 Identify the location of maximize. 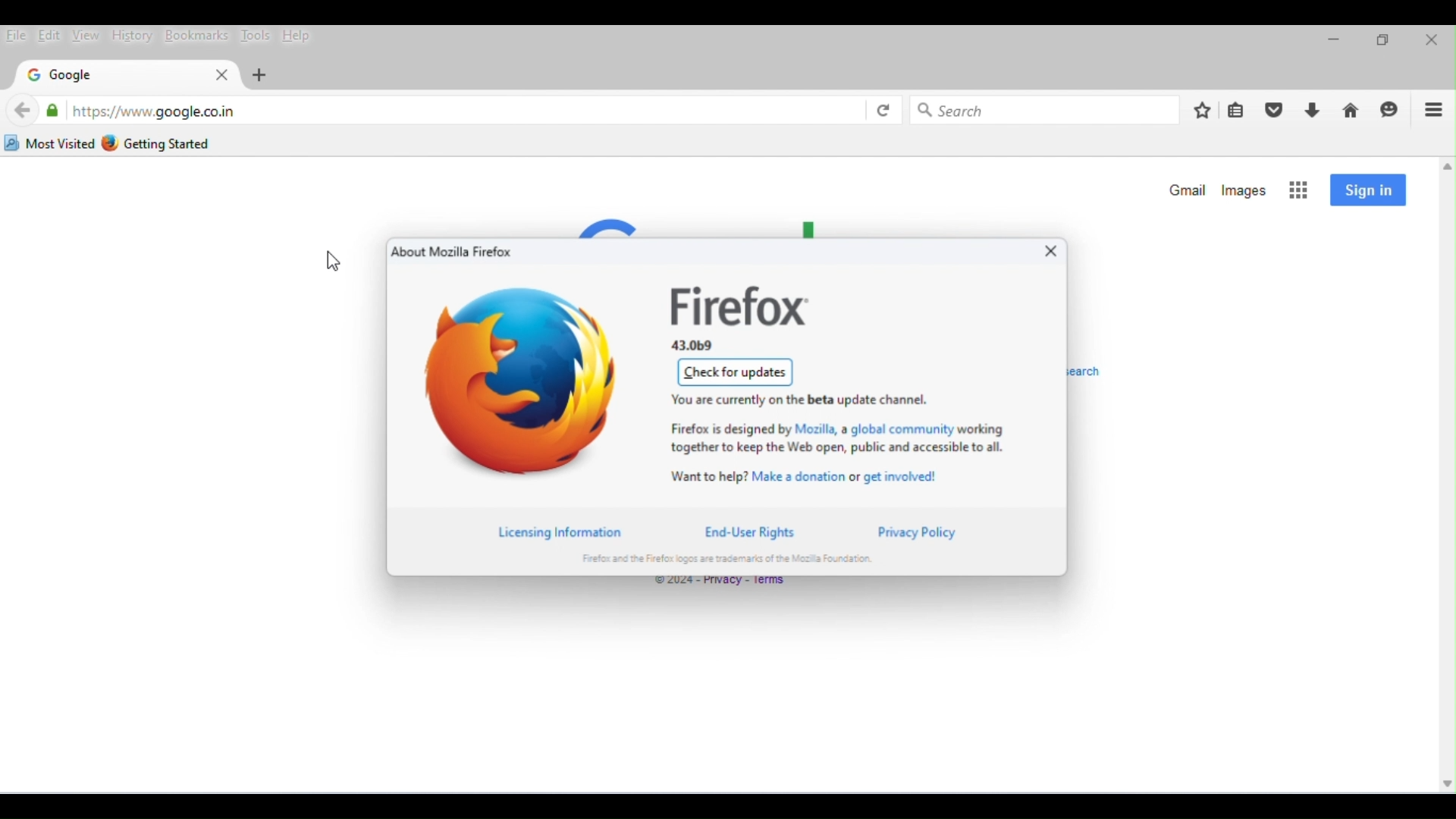
(1382, 42).